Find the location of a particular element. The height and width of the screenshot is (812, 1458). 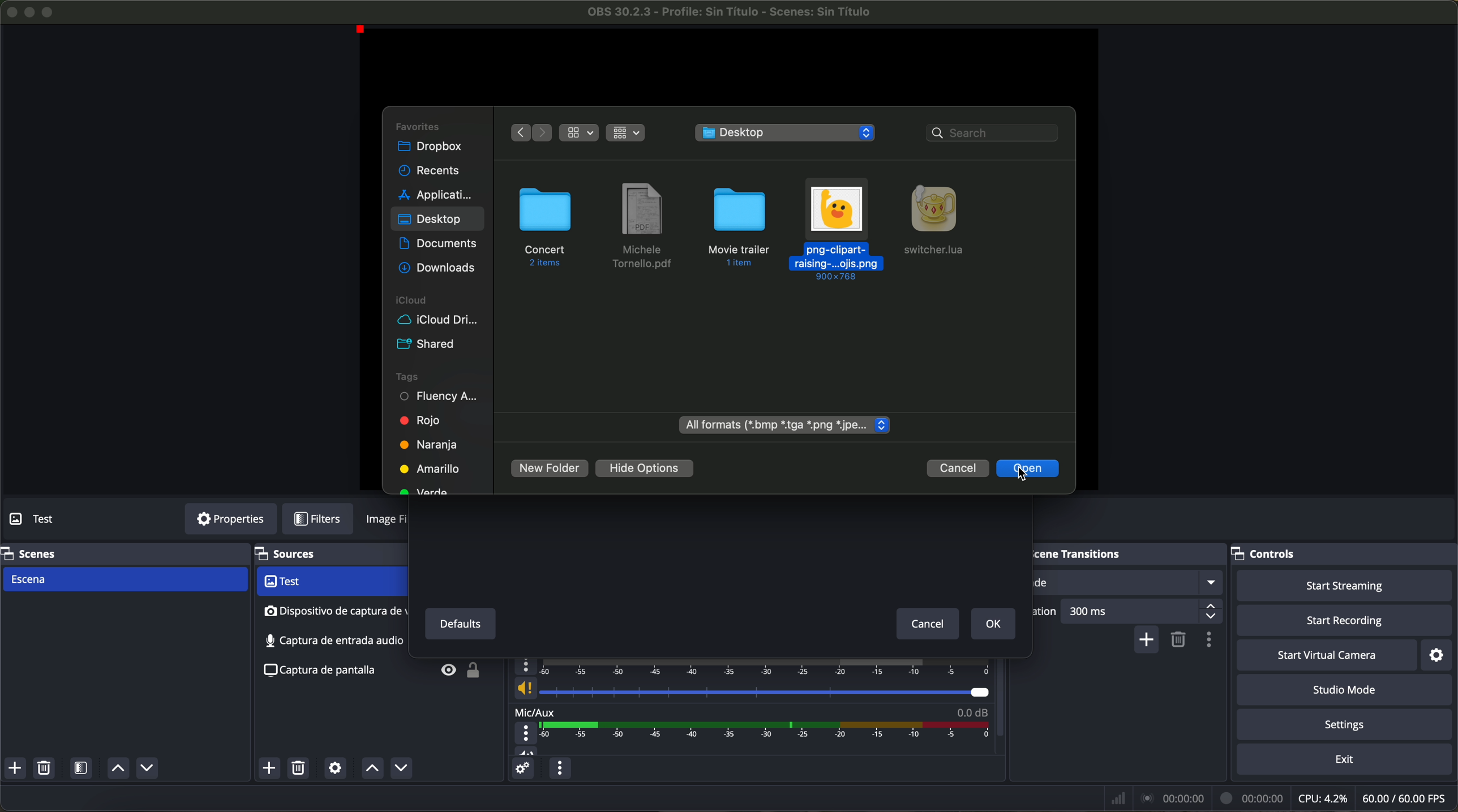

click on image file is located at coordinates (837, 234).